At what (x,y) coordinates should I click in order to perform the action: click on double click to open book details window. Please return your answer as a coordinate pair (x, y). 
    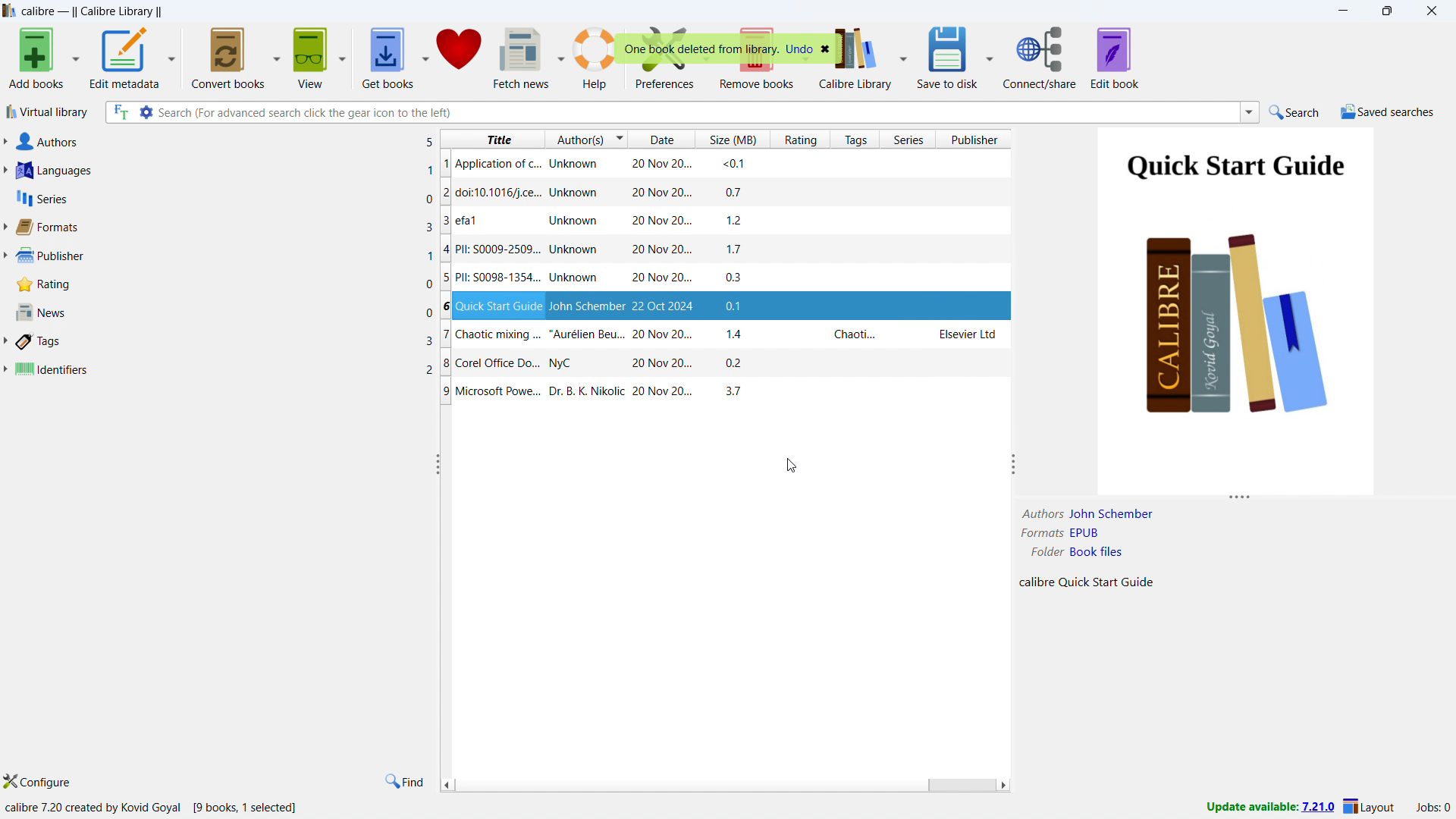
    Looking at the image, I should click on (1235, 310).